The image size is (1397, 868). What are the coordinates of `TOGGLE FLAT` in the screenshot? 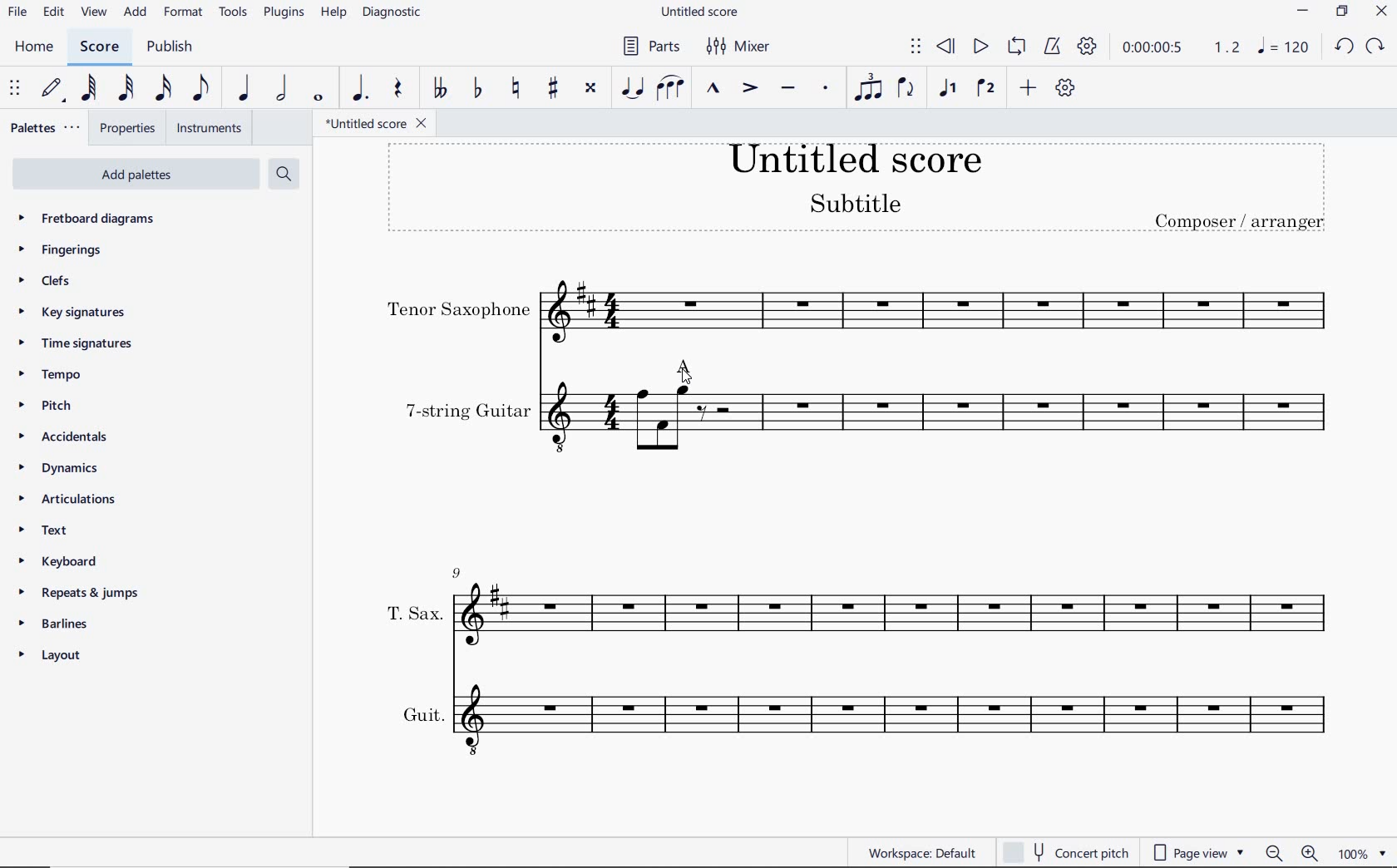 It's located at (476, 89).